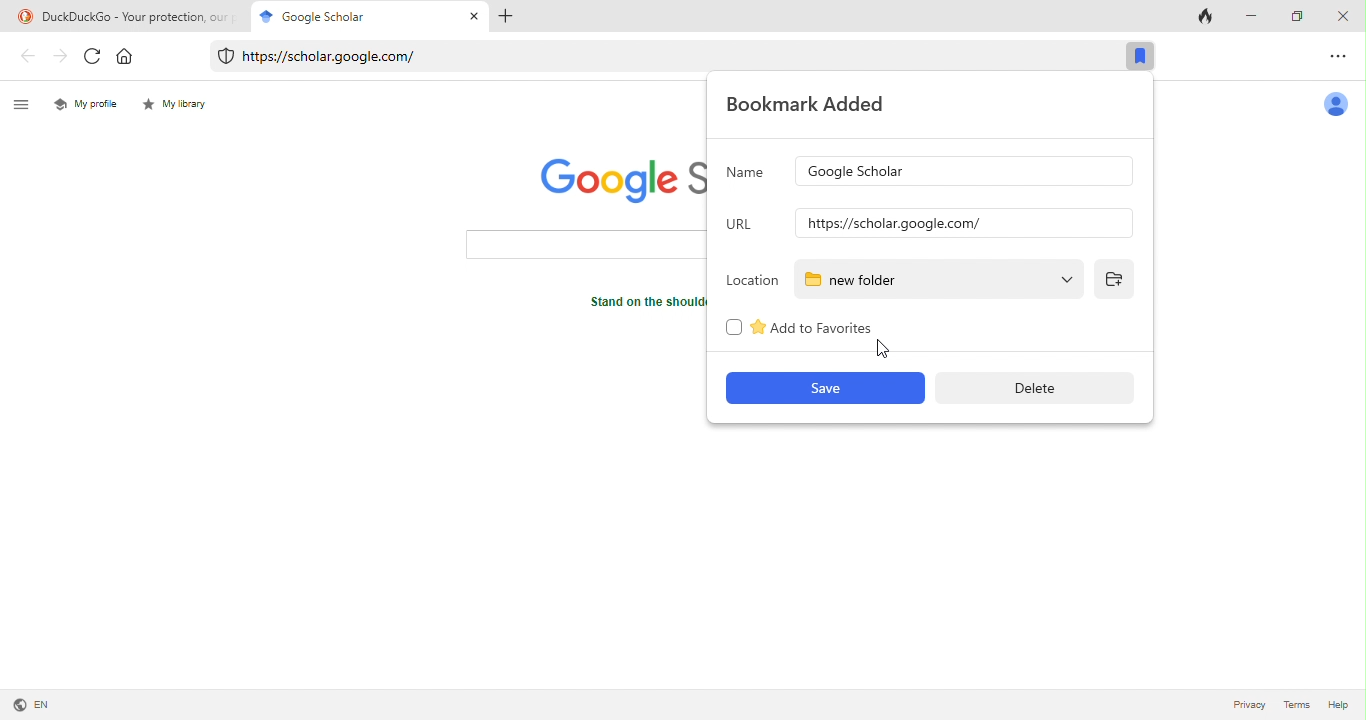 The width and height of the screenshot is (1366, 720). Describe the element at coordinates (880, 350) in the screenshot. I see `cursor movement` at that location.